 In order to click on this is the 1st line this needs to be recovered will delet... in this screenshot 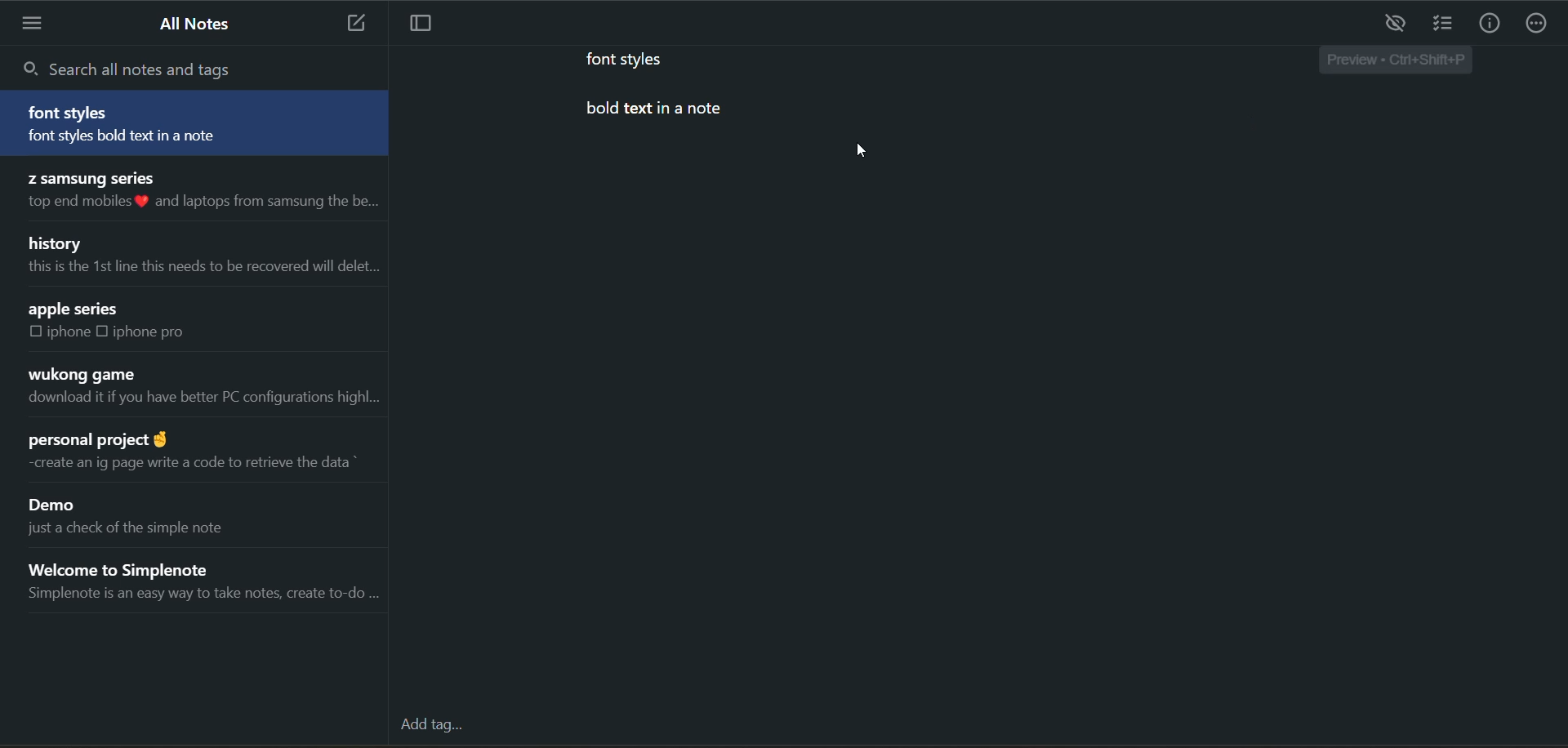, I will do `click(200, 267)`.